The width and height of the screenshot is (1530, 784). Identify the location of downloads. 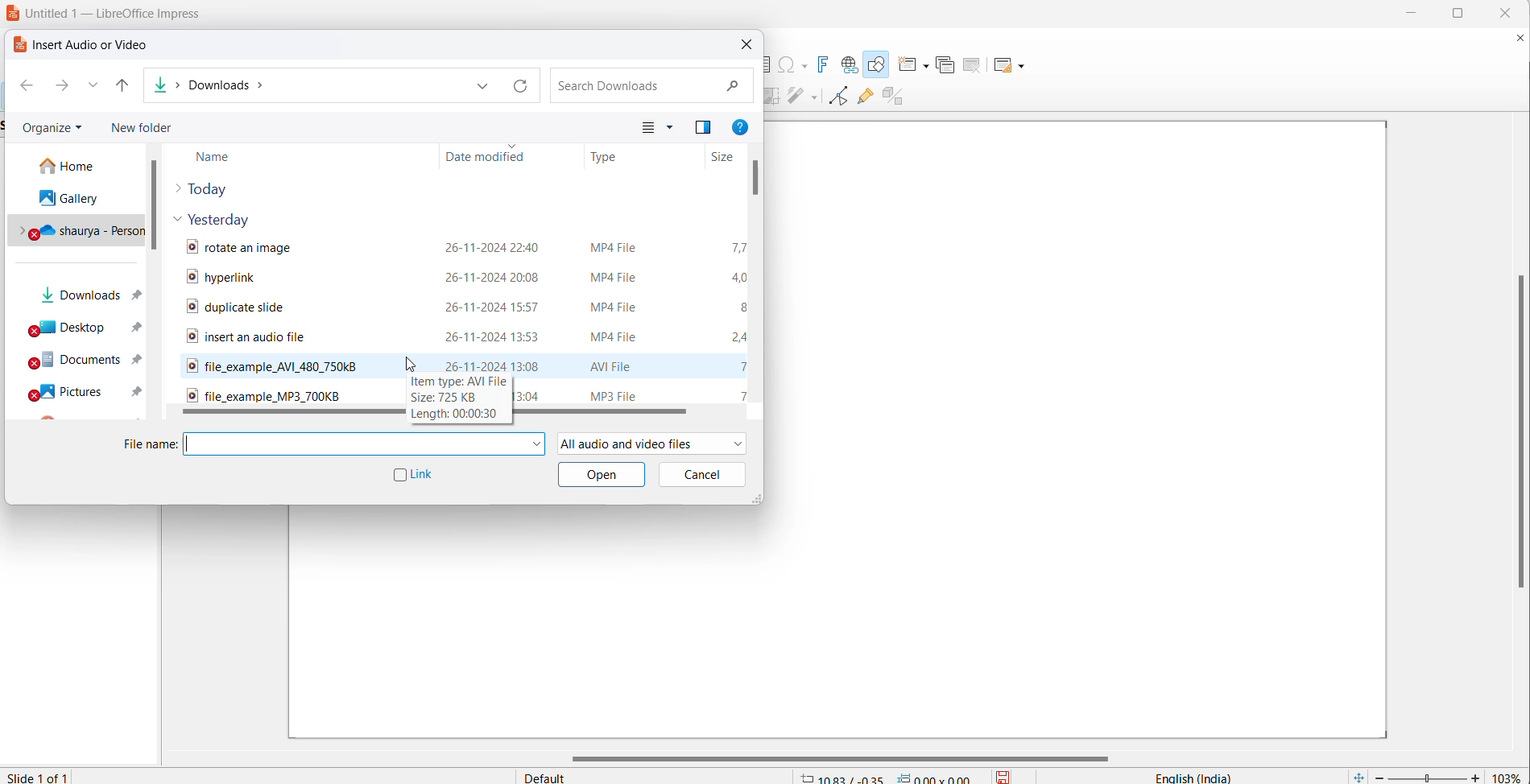
(90, 295).